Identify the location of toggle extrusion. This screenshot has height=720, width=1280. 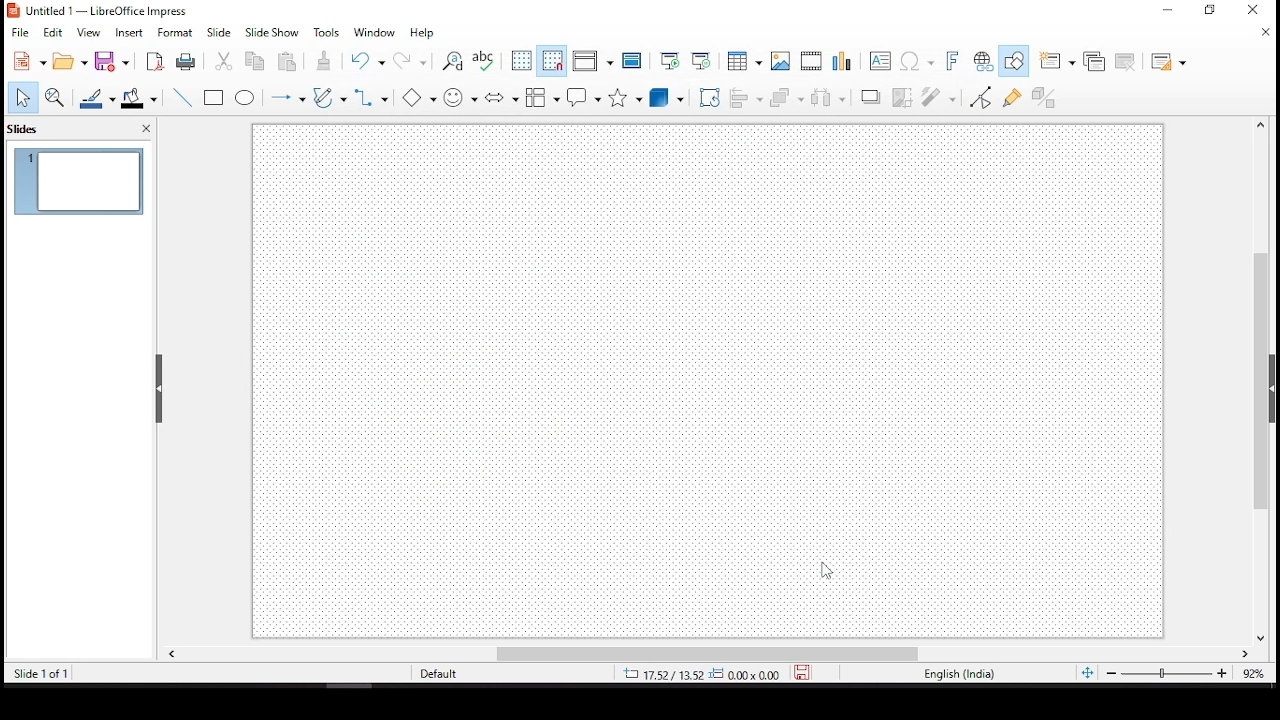
(1043, 97).